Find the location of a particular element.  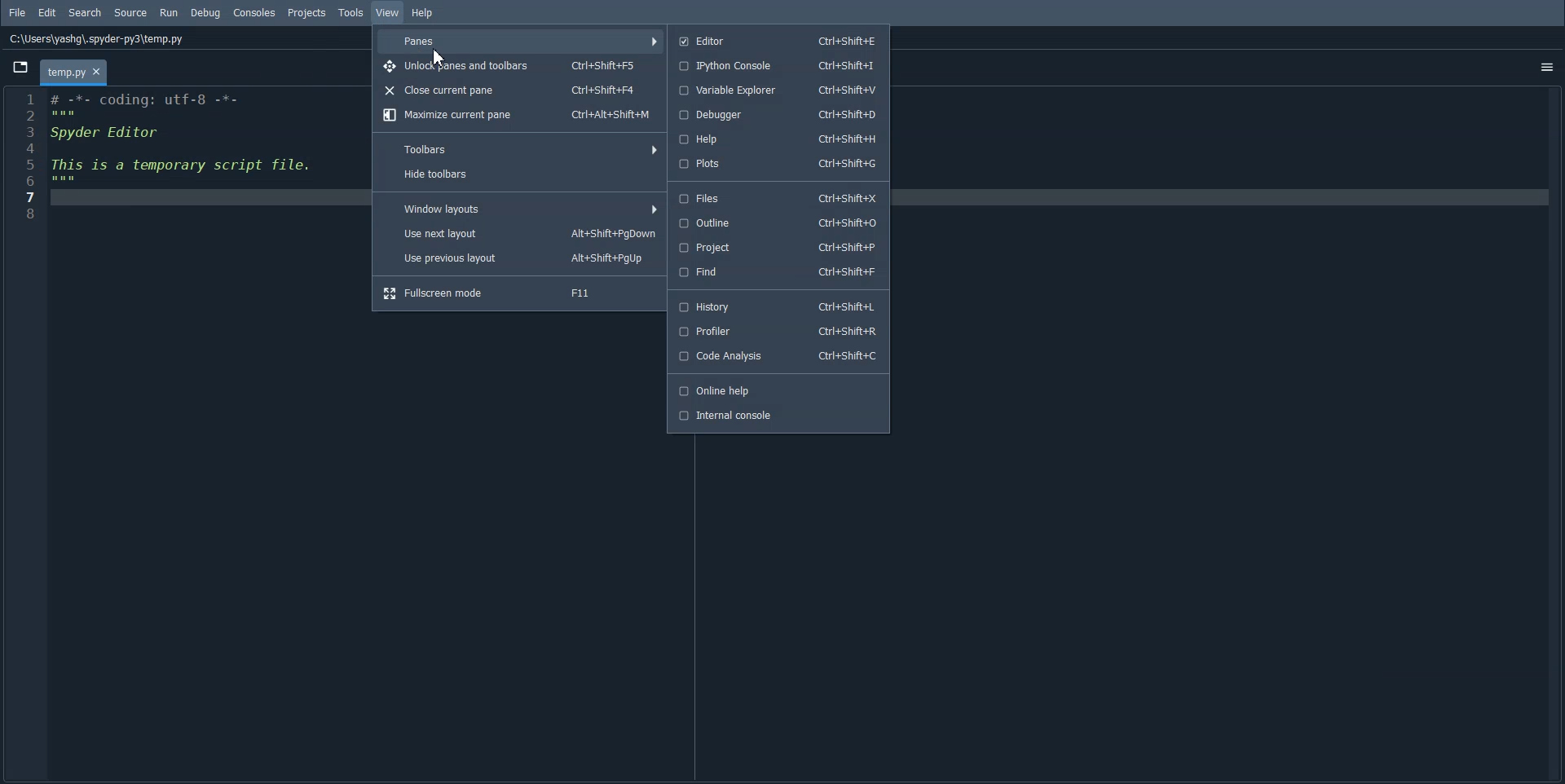

Panes is located at coordinates (521, 42).